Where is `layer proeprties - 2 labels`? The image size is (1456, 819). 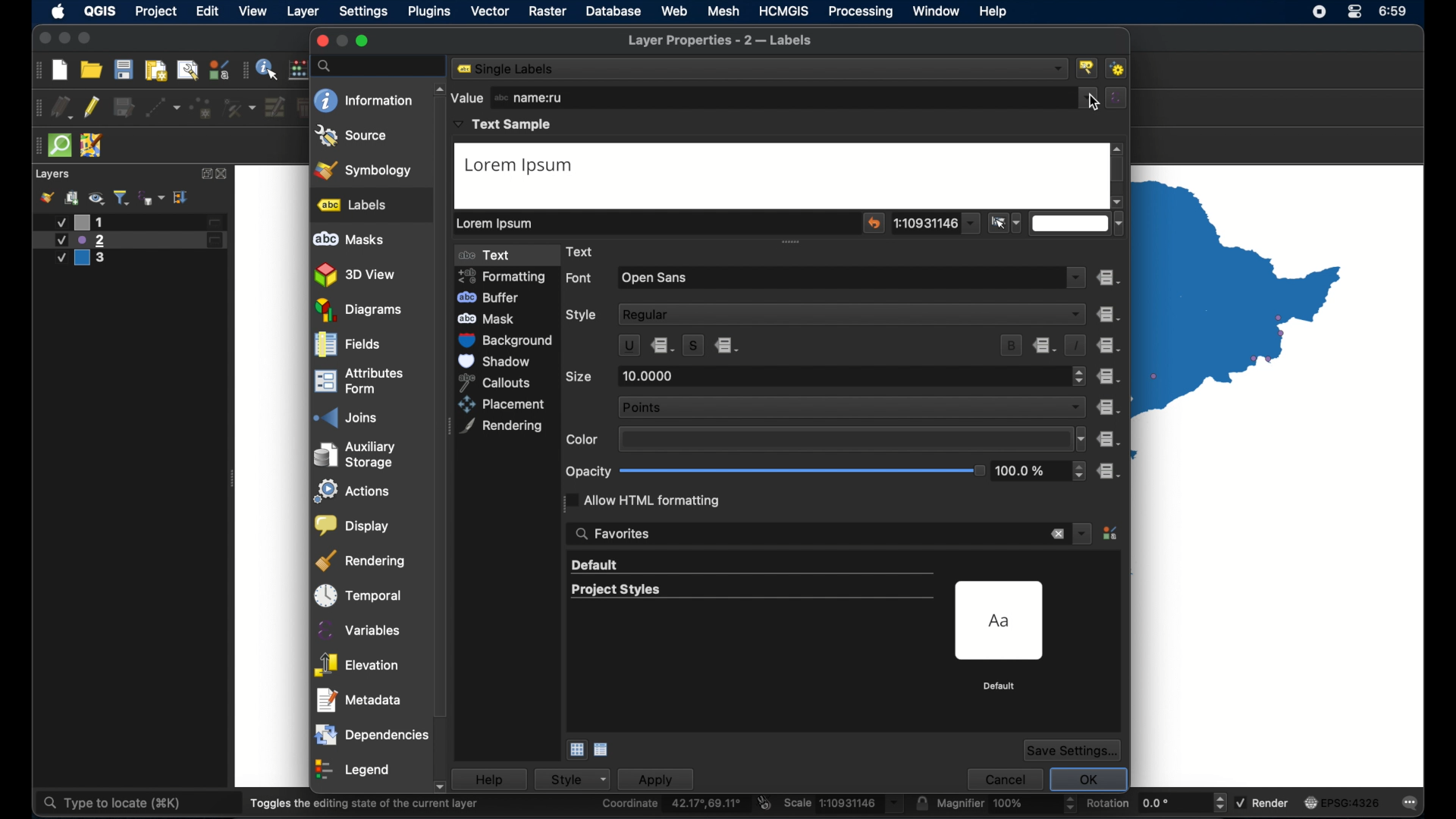 layer proeprties - 2 labels is located at coordinates (720, 41).